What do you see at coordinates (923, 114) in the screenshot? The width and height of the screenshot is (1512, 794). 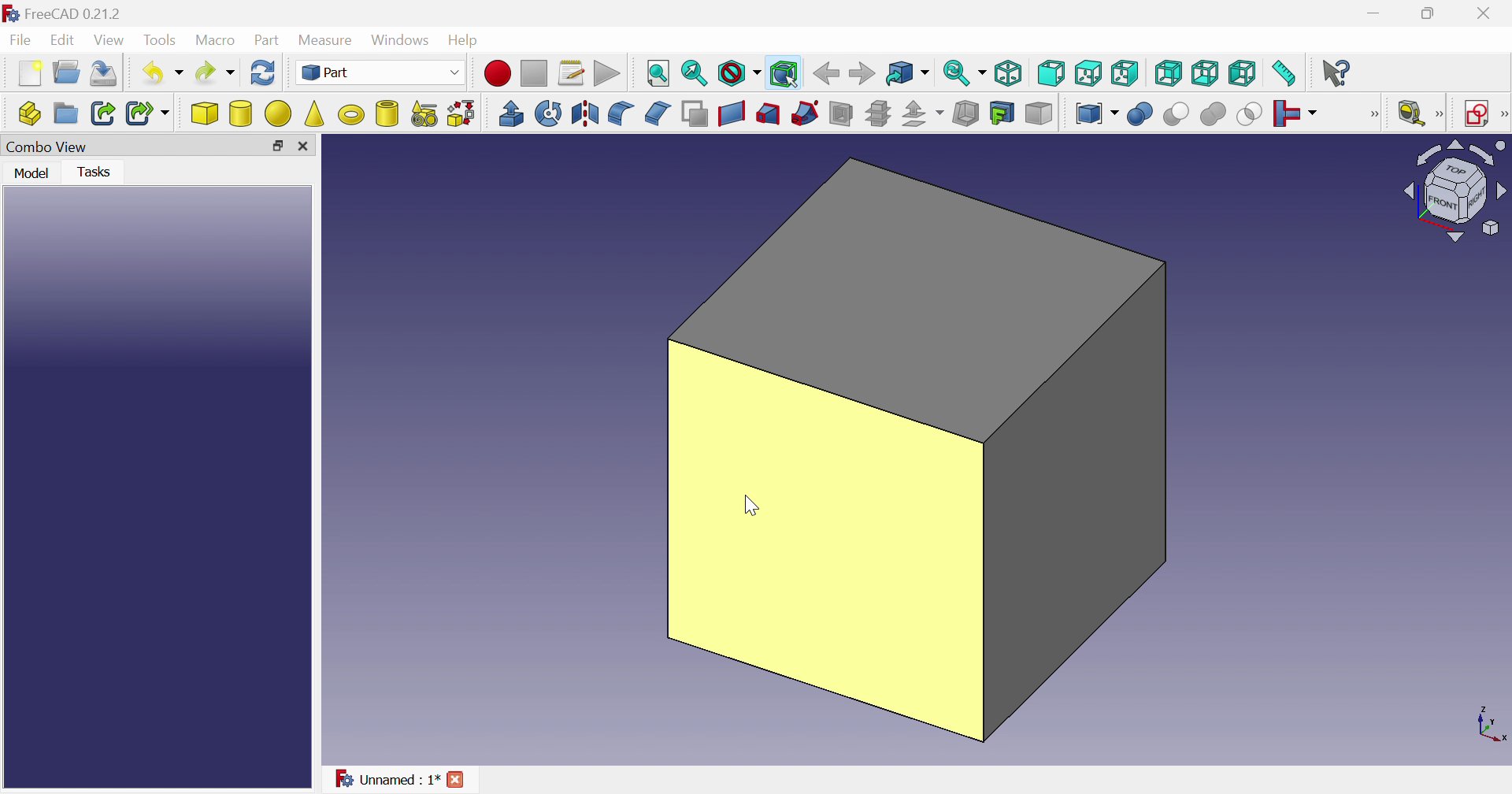 I see `Offset:` at bounding box center [923, 114].